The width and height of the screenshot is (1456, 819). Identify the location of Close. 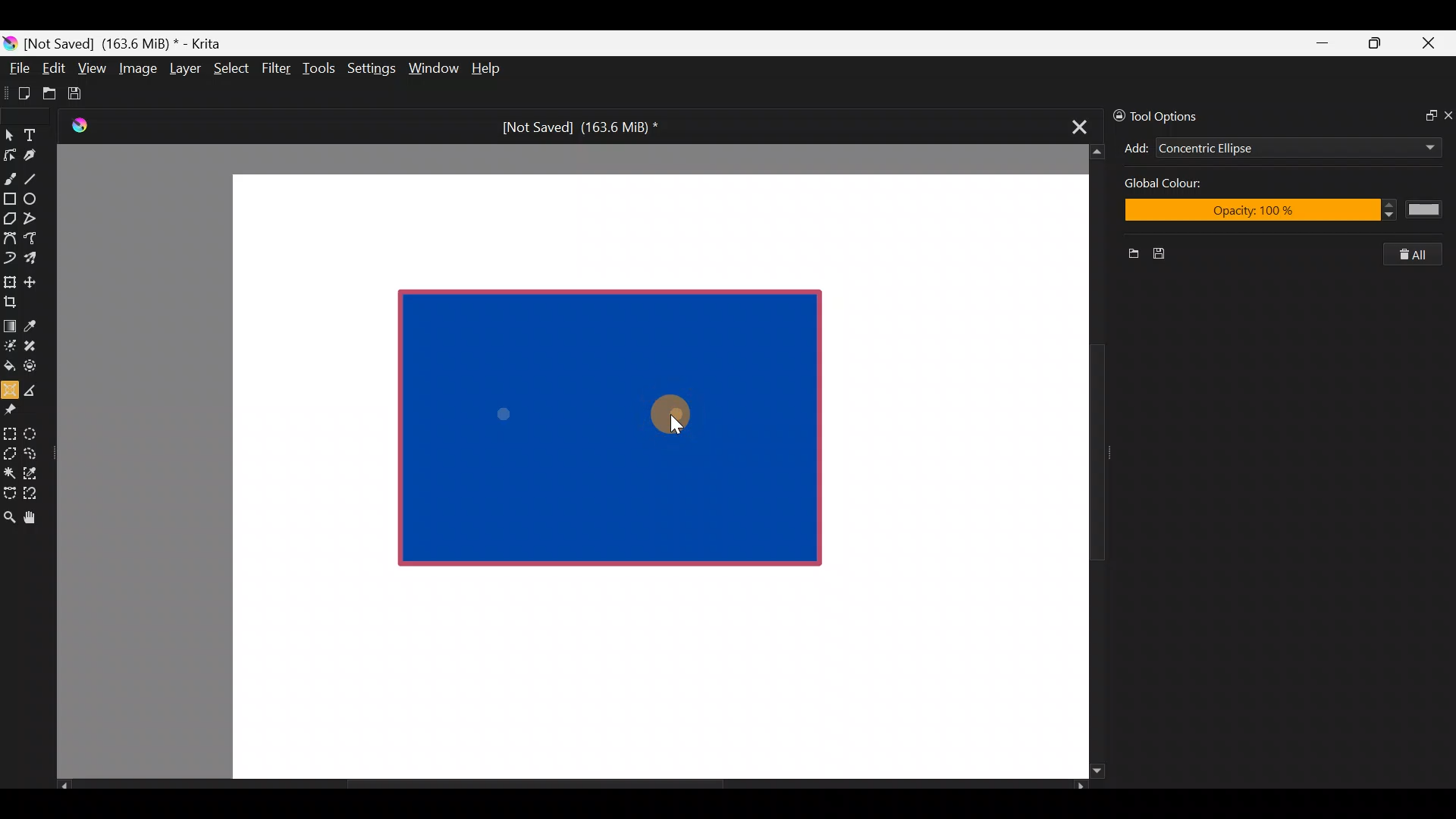
(1429, 46).